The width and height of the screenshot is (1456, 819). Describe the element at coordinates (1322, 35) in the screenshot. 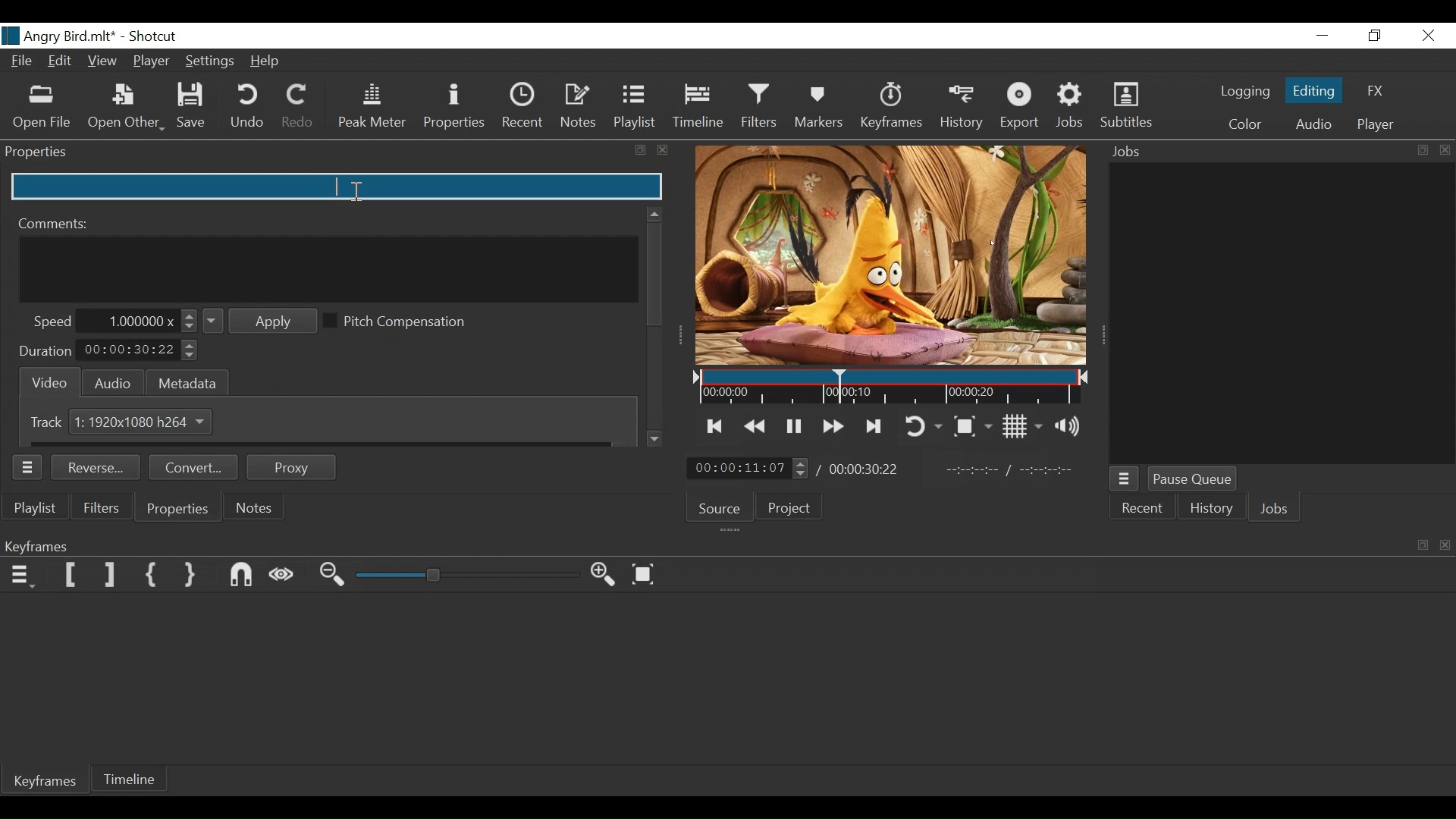

I see `Minimize` at that location.